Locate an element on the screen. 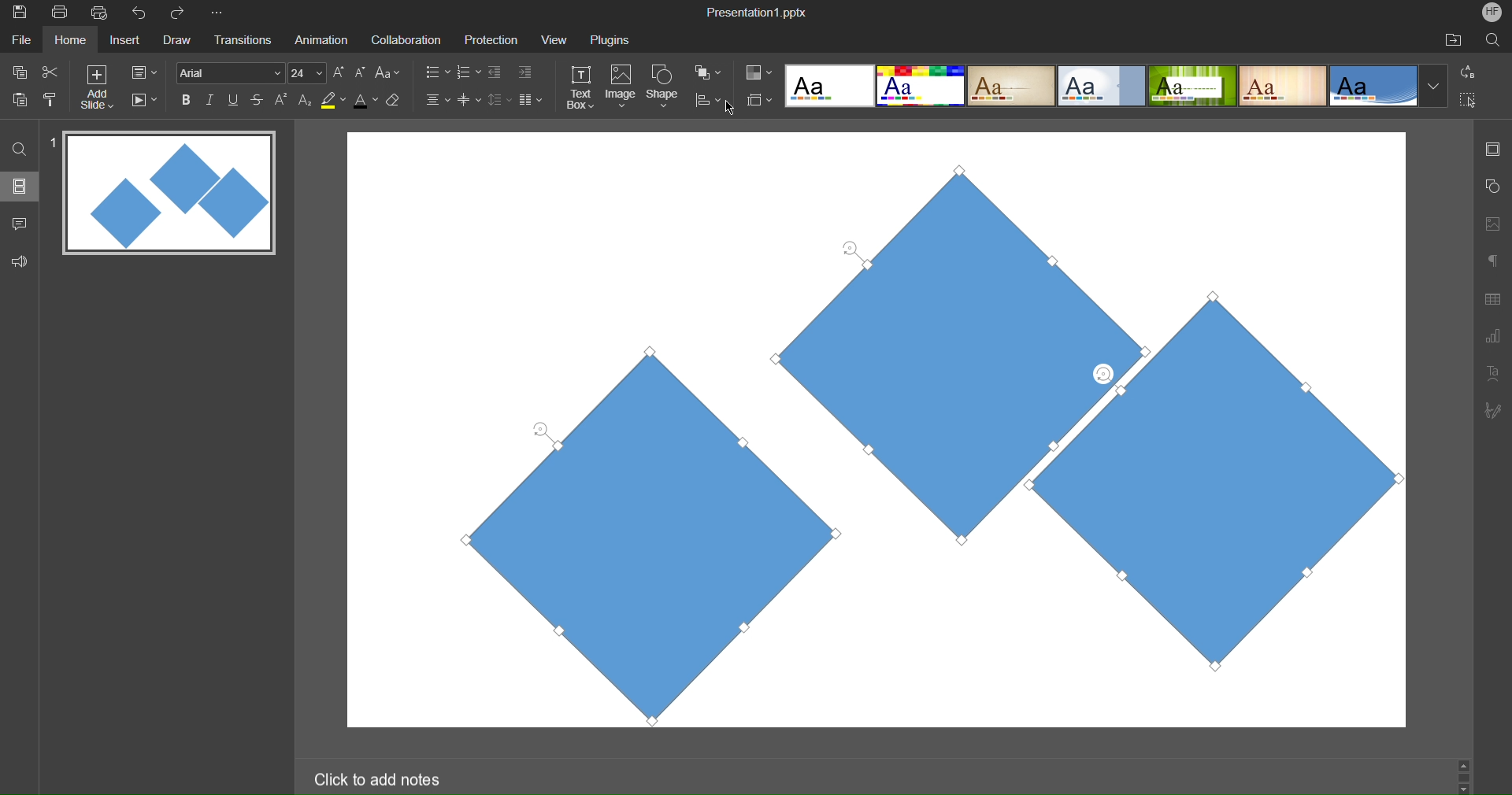  Text Box is located at coordinates (582, 87).